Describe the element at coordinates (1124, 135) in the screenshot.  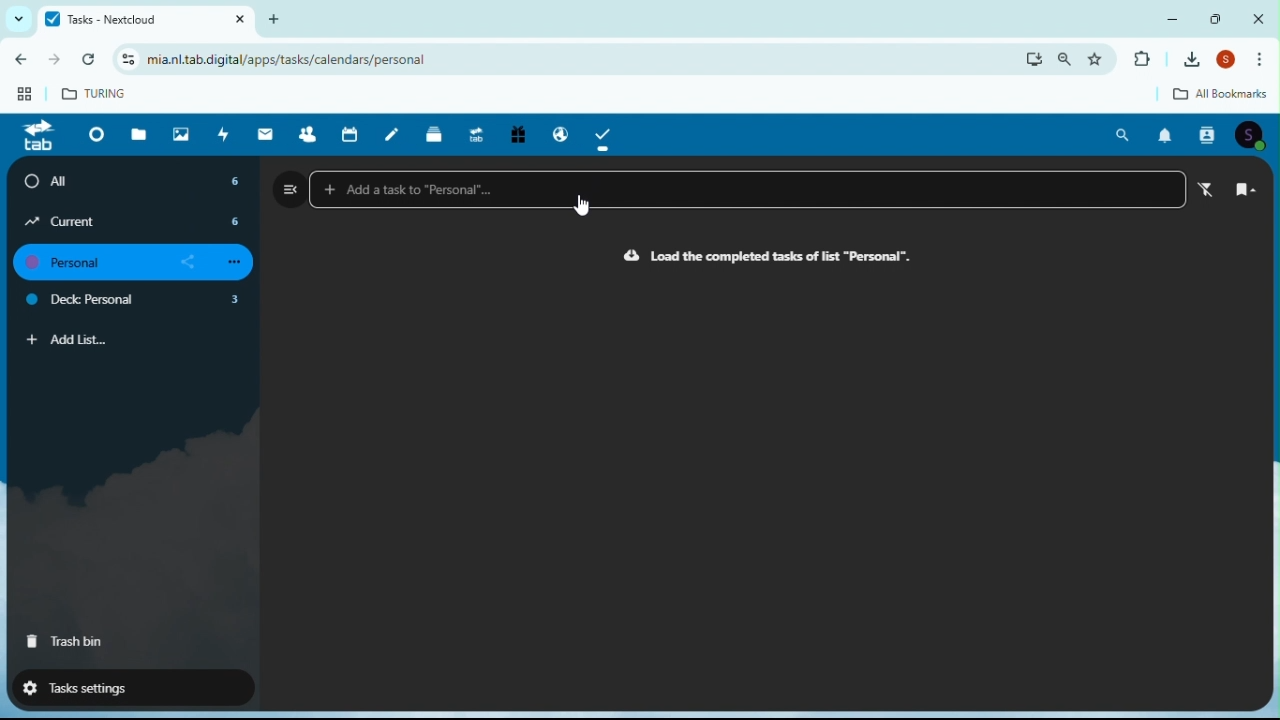
I see `Search` at that location.